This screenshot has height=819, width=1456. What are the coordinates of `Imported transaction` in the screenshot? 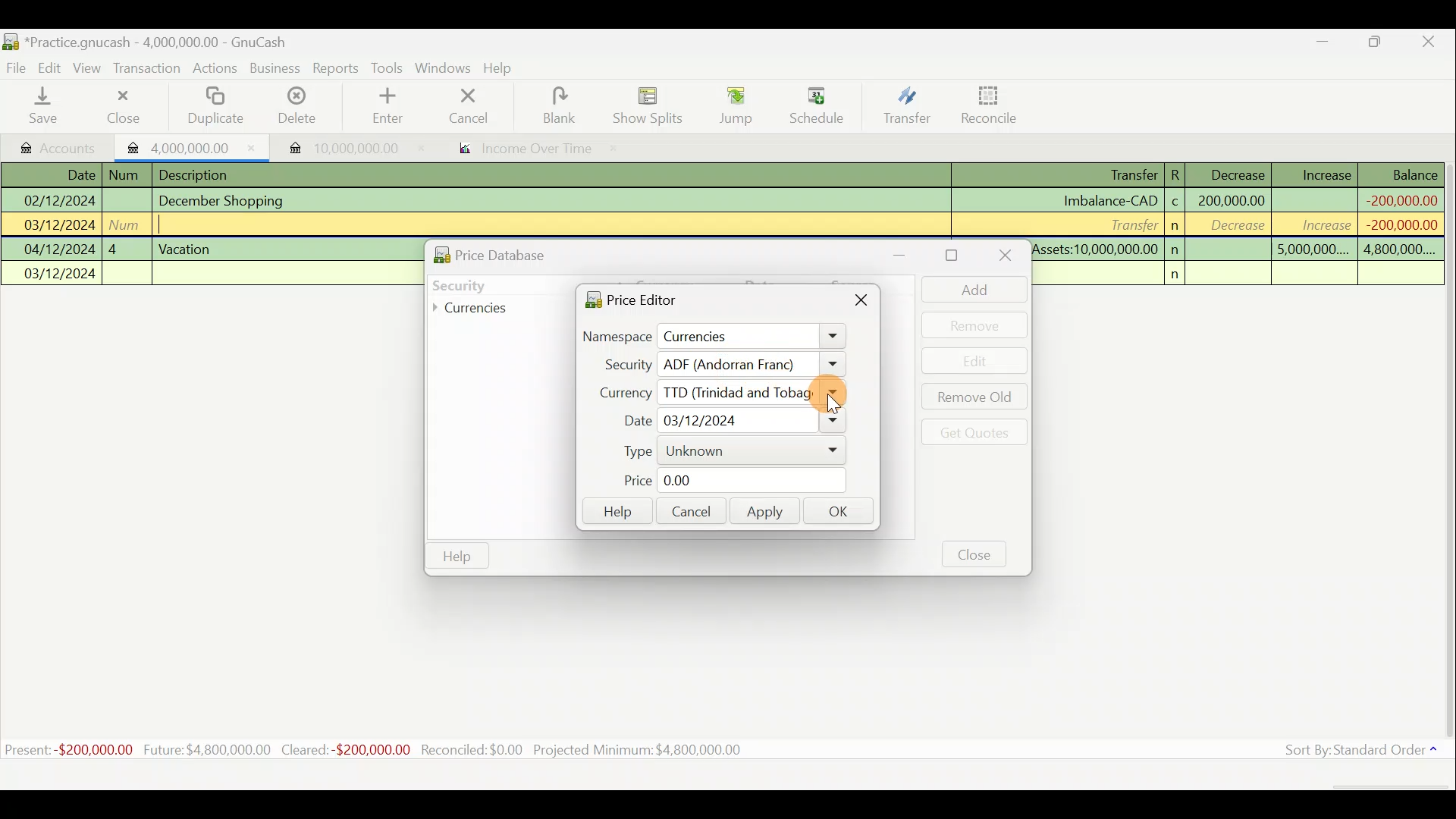 It's located at (334, 144).